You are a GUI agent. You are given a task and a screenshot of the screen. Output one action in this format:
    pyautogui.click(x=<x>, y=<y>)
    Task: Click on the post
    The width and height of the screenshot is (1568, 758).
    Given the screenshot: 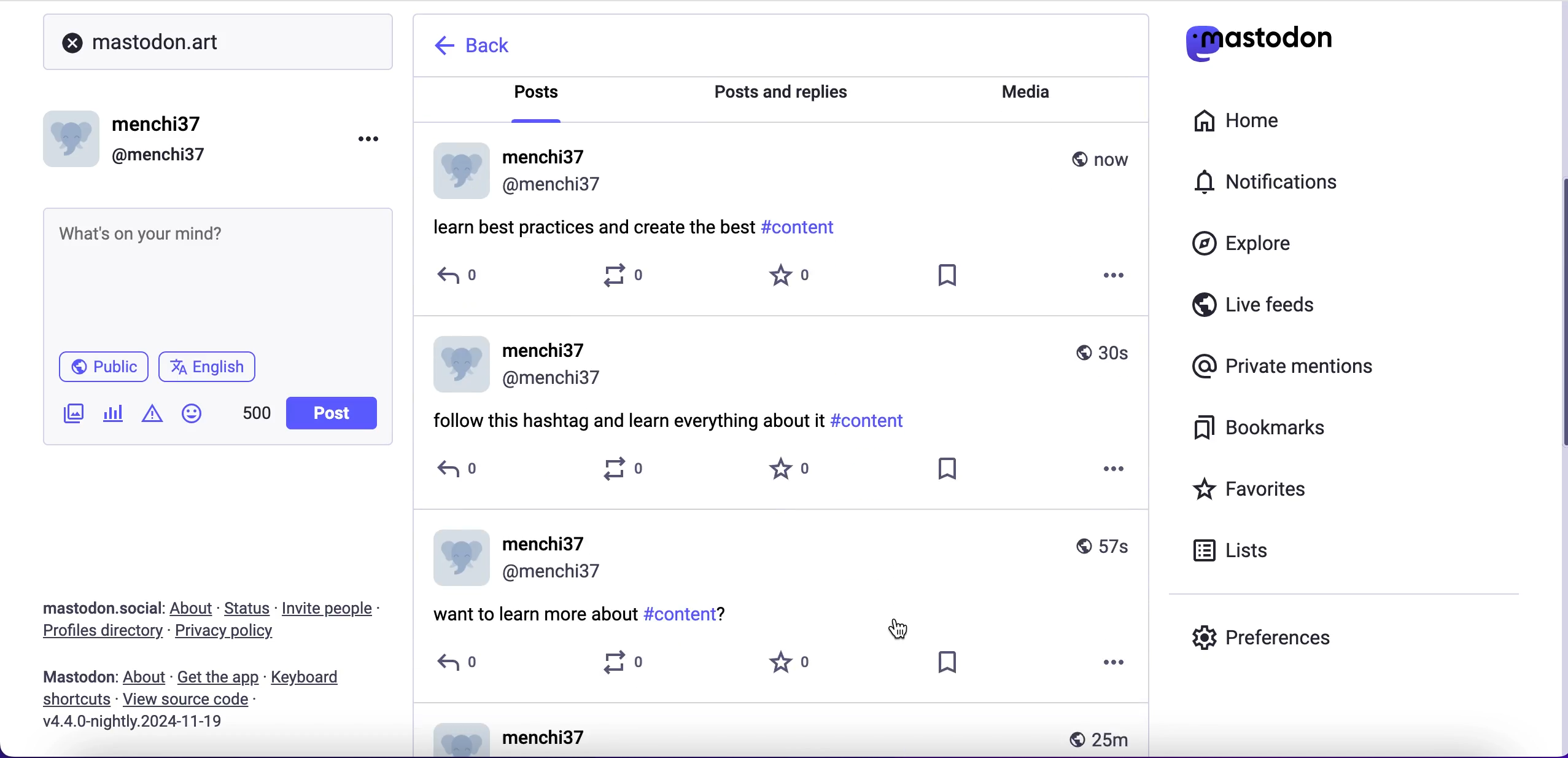 What is the action you would take?
    pyautogui.click(x=591, y=225)
    